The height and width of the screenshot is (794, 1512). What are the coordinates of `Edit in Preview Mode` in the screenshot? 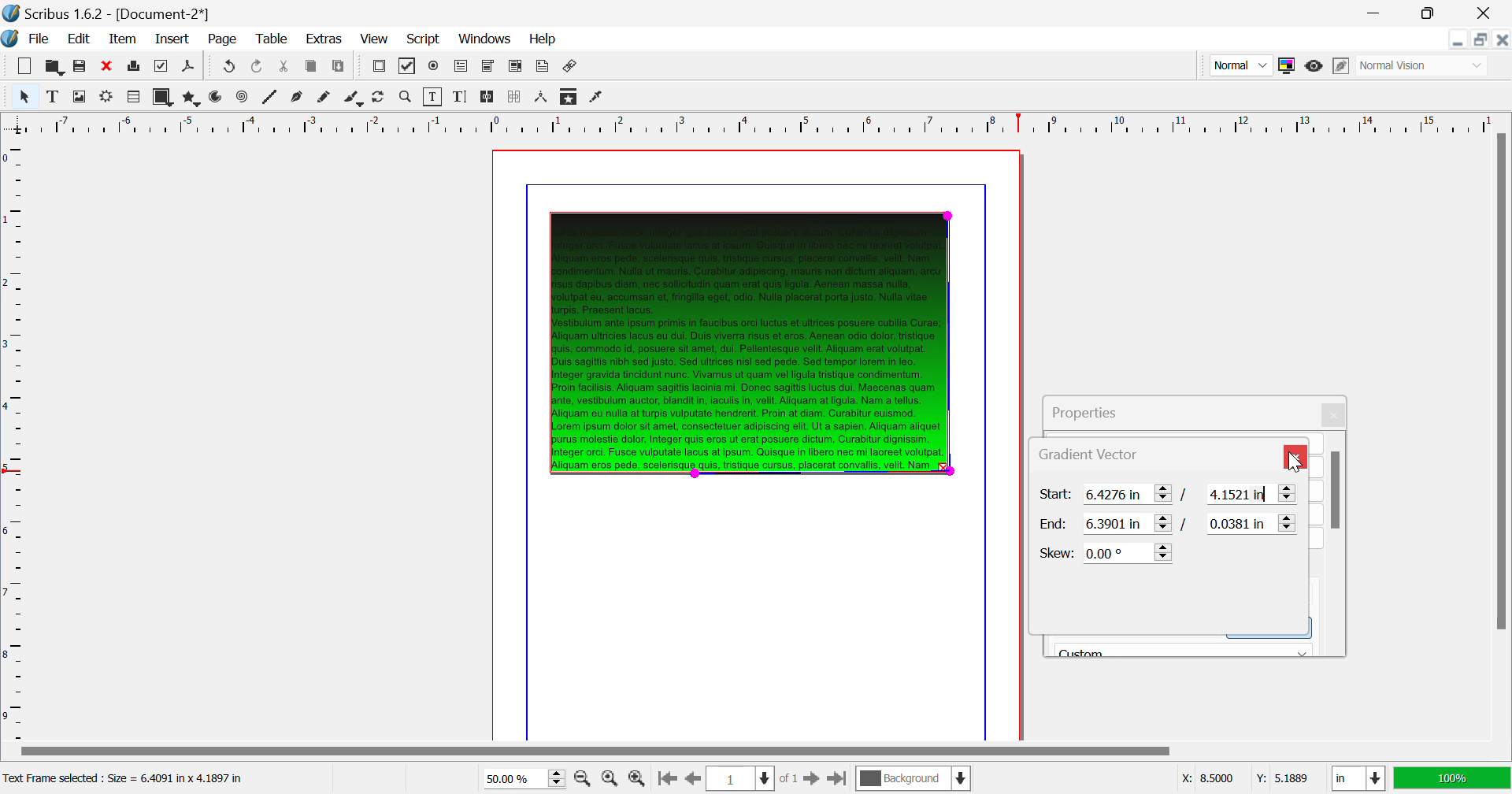 It's located at (1343, 66).